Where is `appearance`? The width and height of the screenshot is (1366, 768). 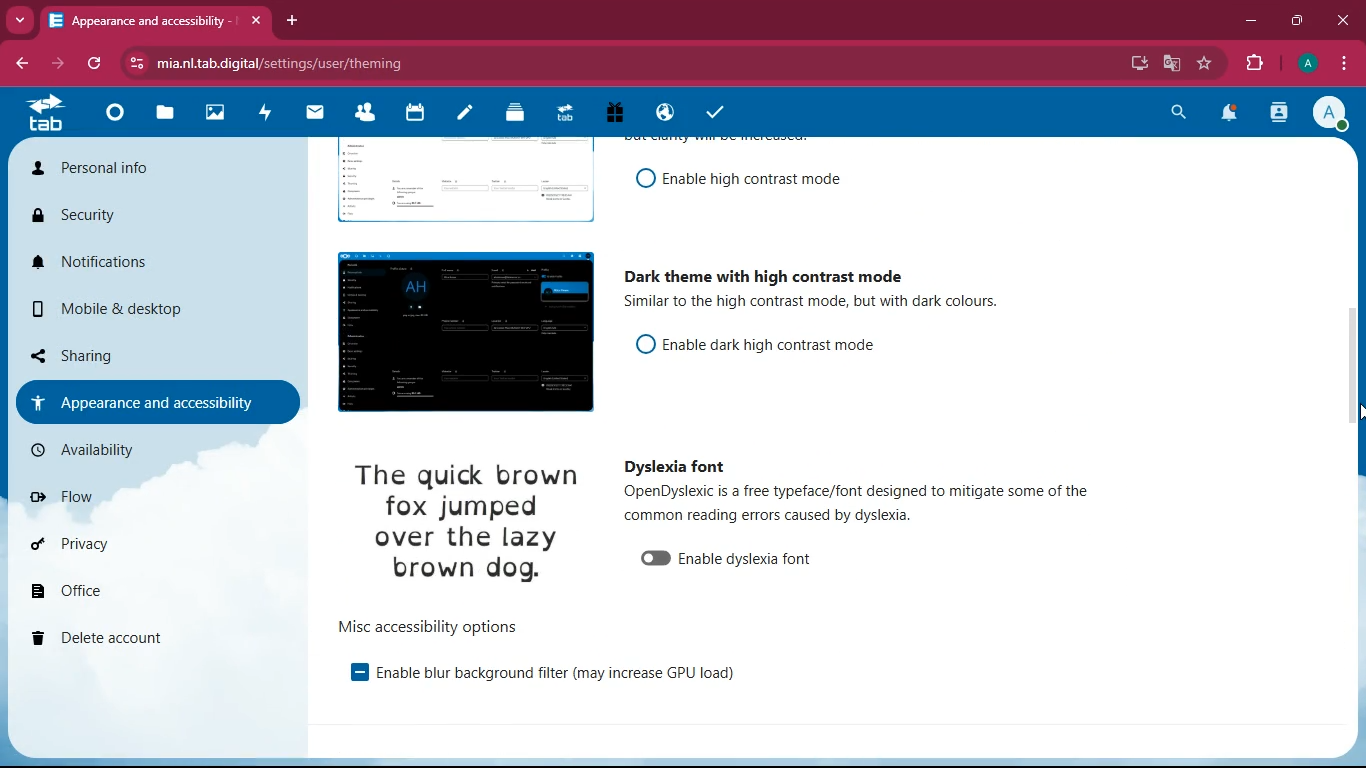 appearance is located at coordinates (158, 400).